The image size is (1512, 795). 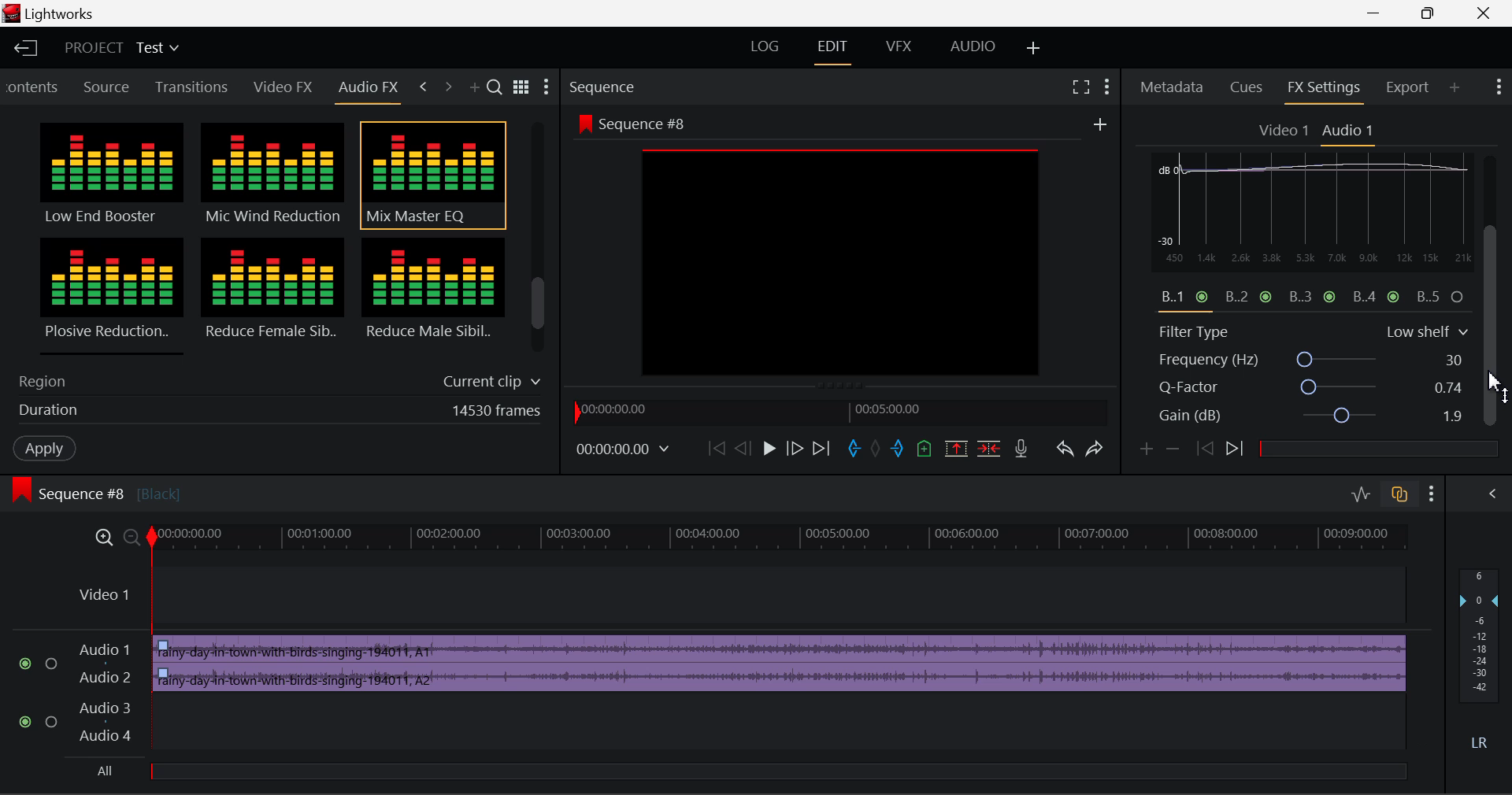 I want to click on Mark Cue, so click(x=923, y=449).